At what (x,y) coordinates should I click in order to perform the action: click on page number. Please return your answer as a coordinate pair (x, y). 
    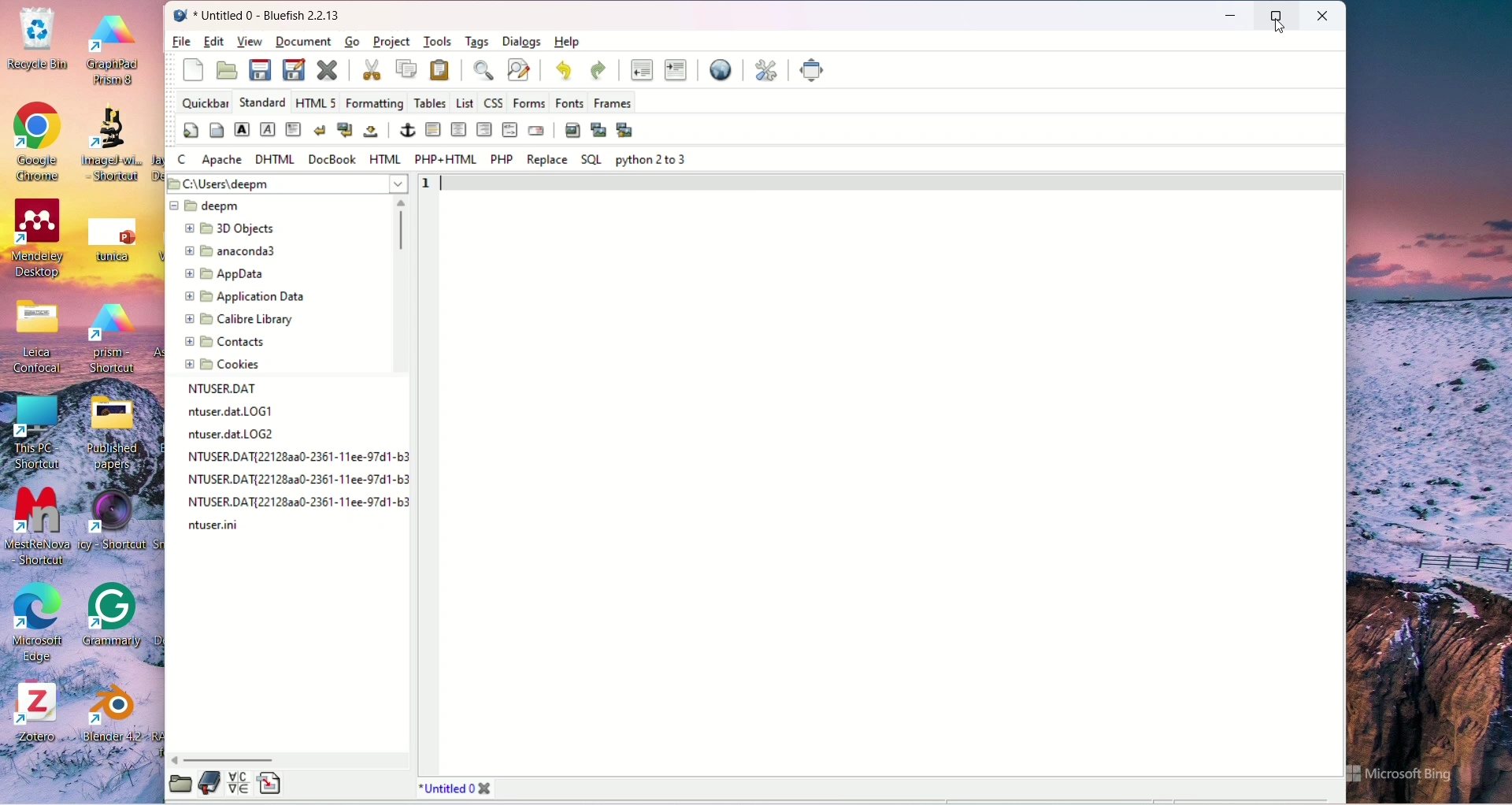
    Looking at the image, I should click on (428, 184).